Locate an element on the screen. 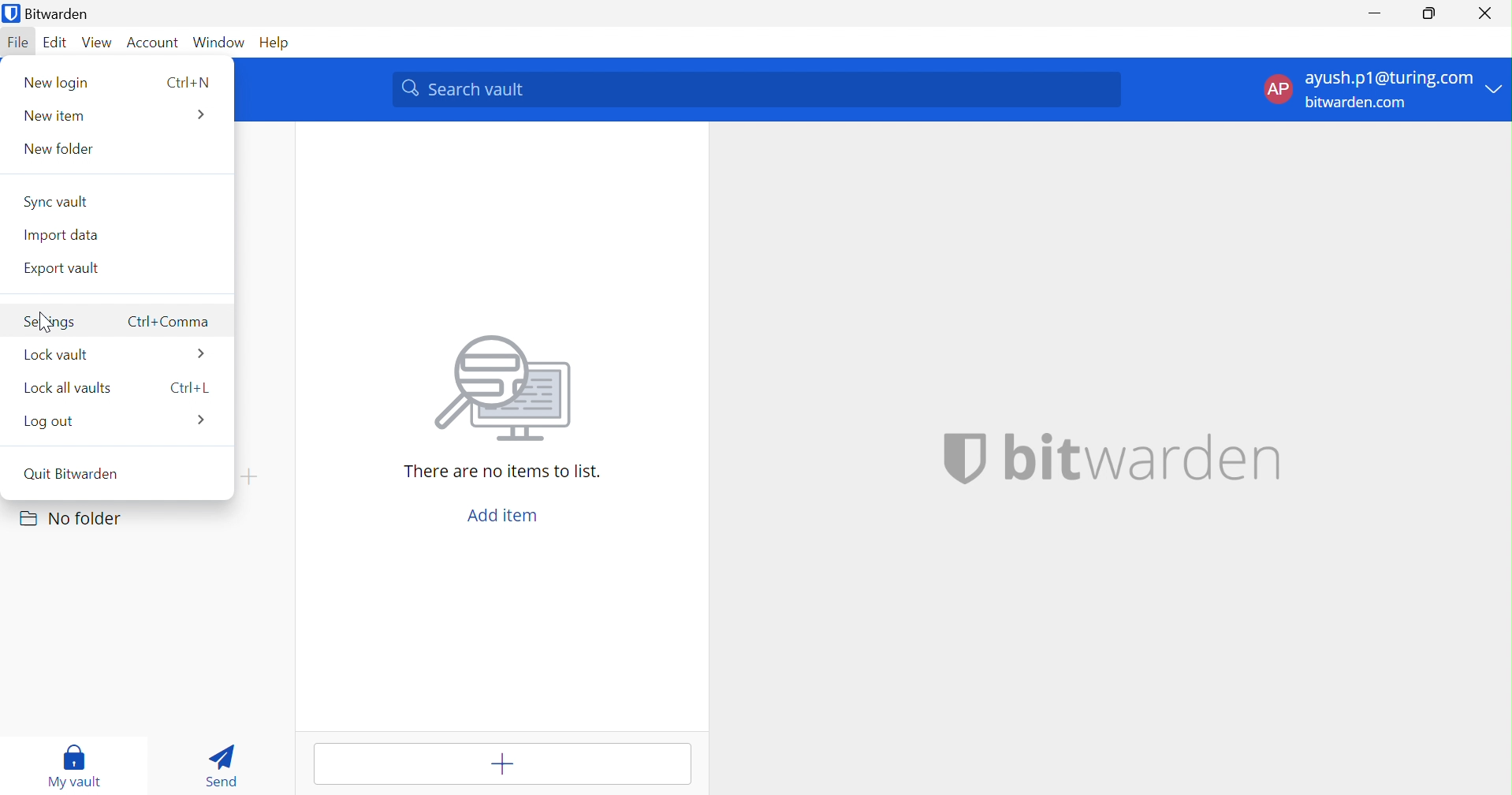 This screenshot has height=795, width=1512. Searching for file vector image is located at coordinates (503, 390).